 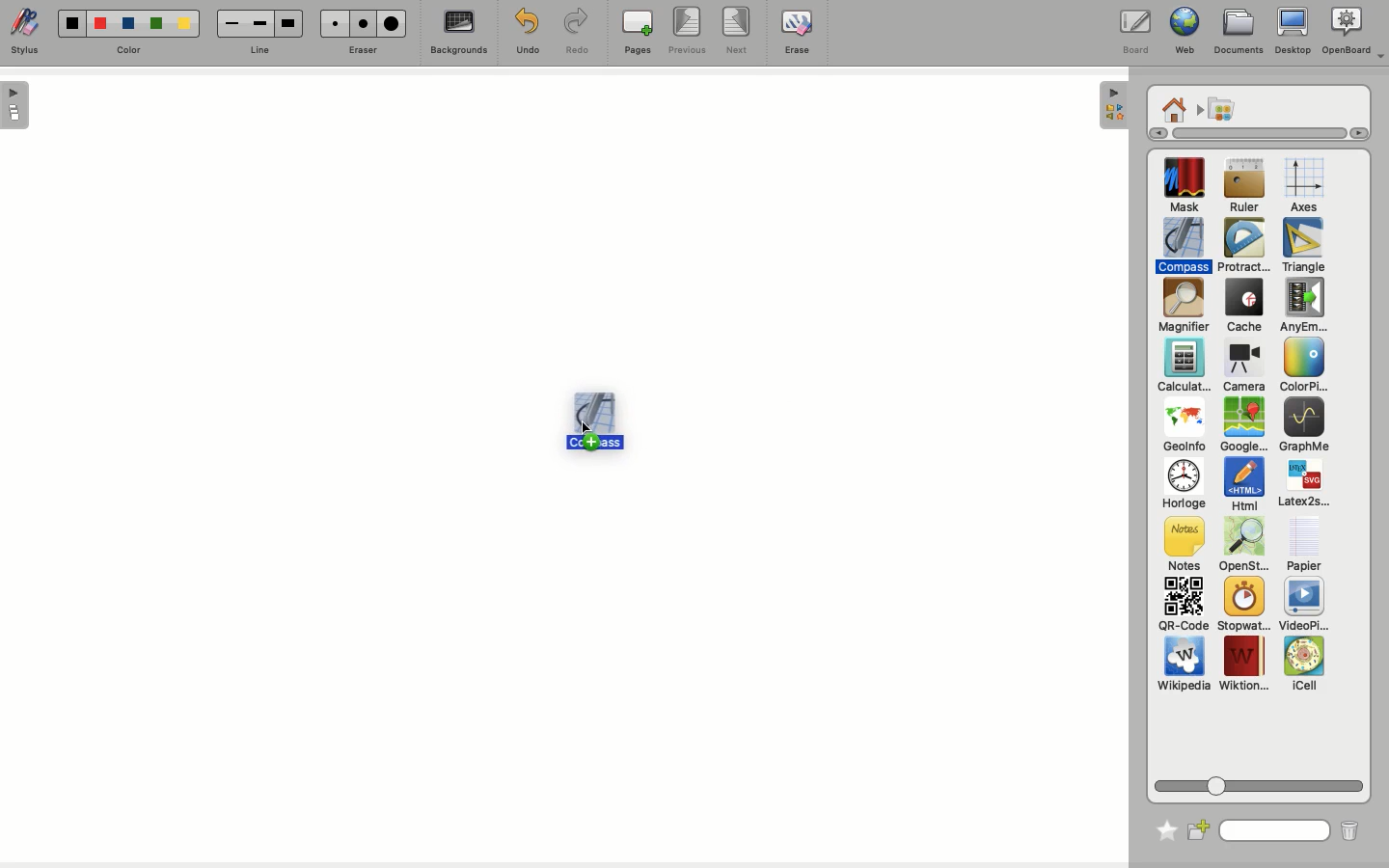 What do you see at coordinates (1304, 605) in the screenshot?
I see `VideoPlayer` at bounding box center [1304, 605].